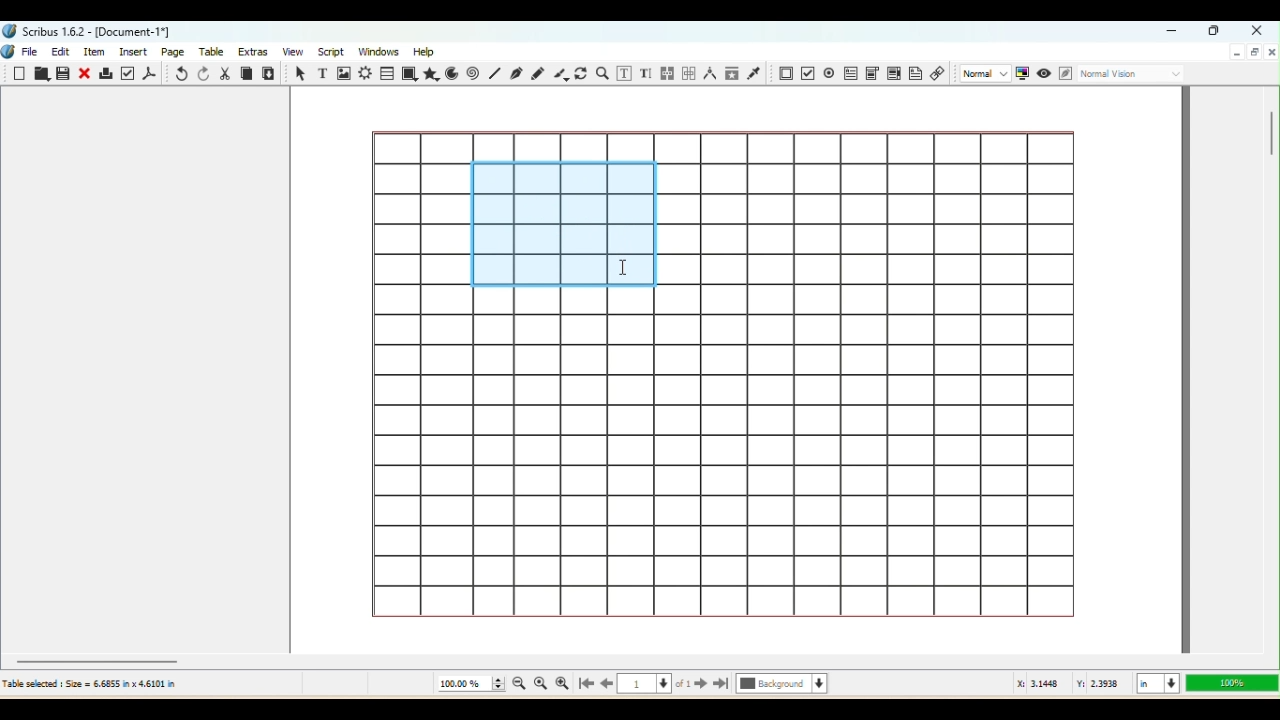  What do you see at coordinates (255, 51) in the screenshot?
I see `Extras` at bounding box center [255, 51].